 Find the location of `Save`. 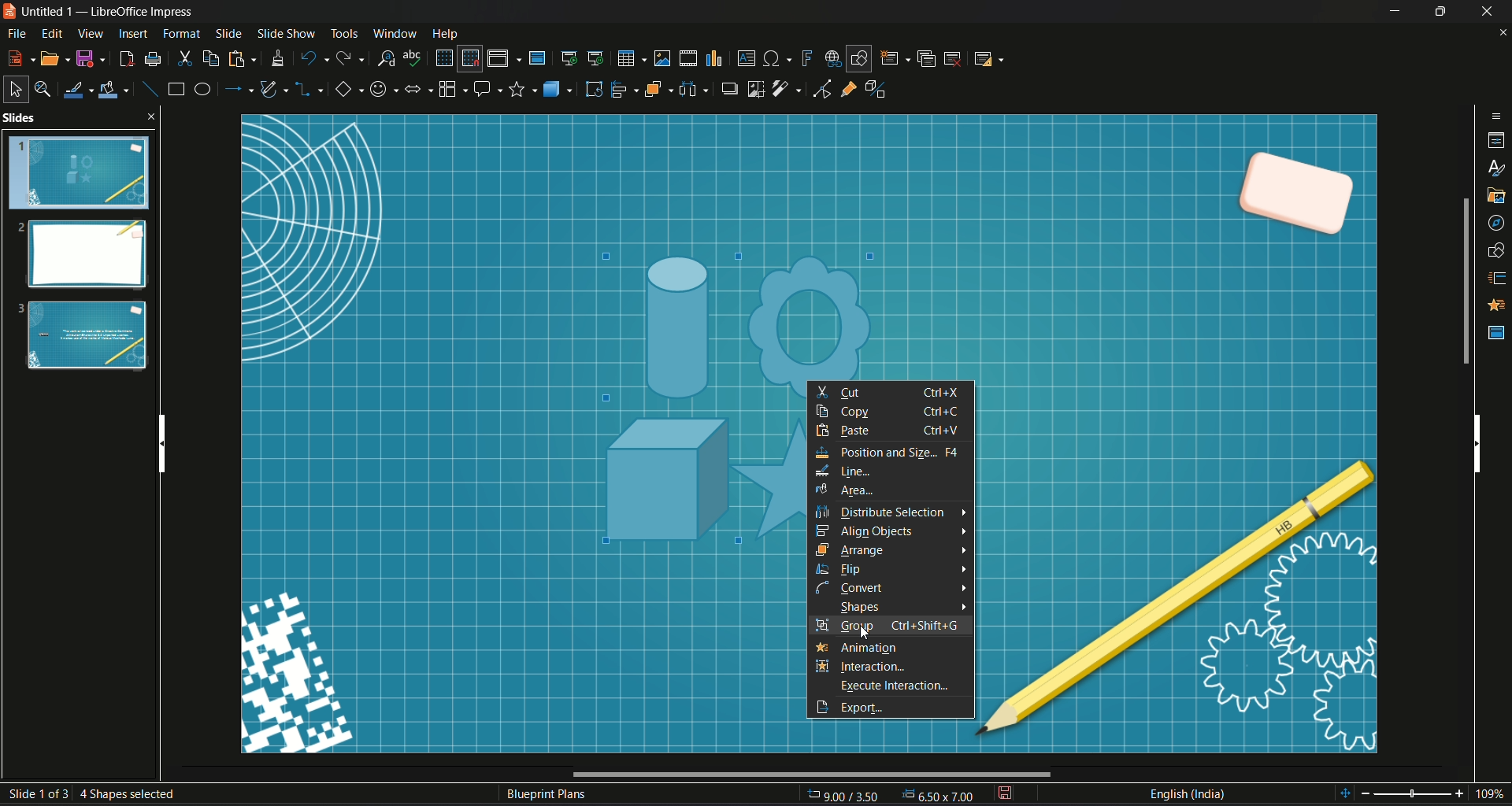

Save is located at coordinates (91, 59).